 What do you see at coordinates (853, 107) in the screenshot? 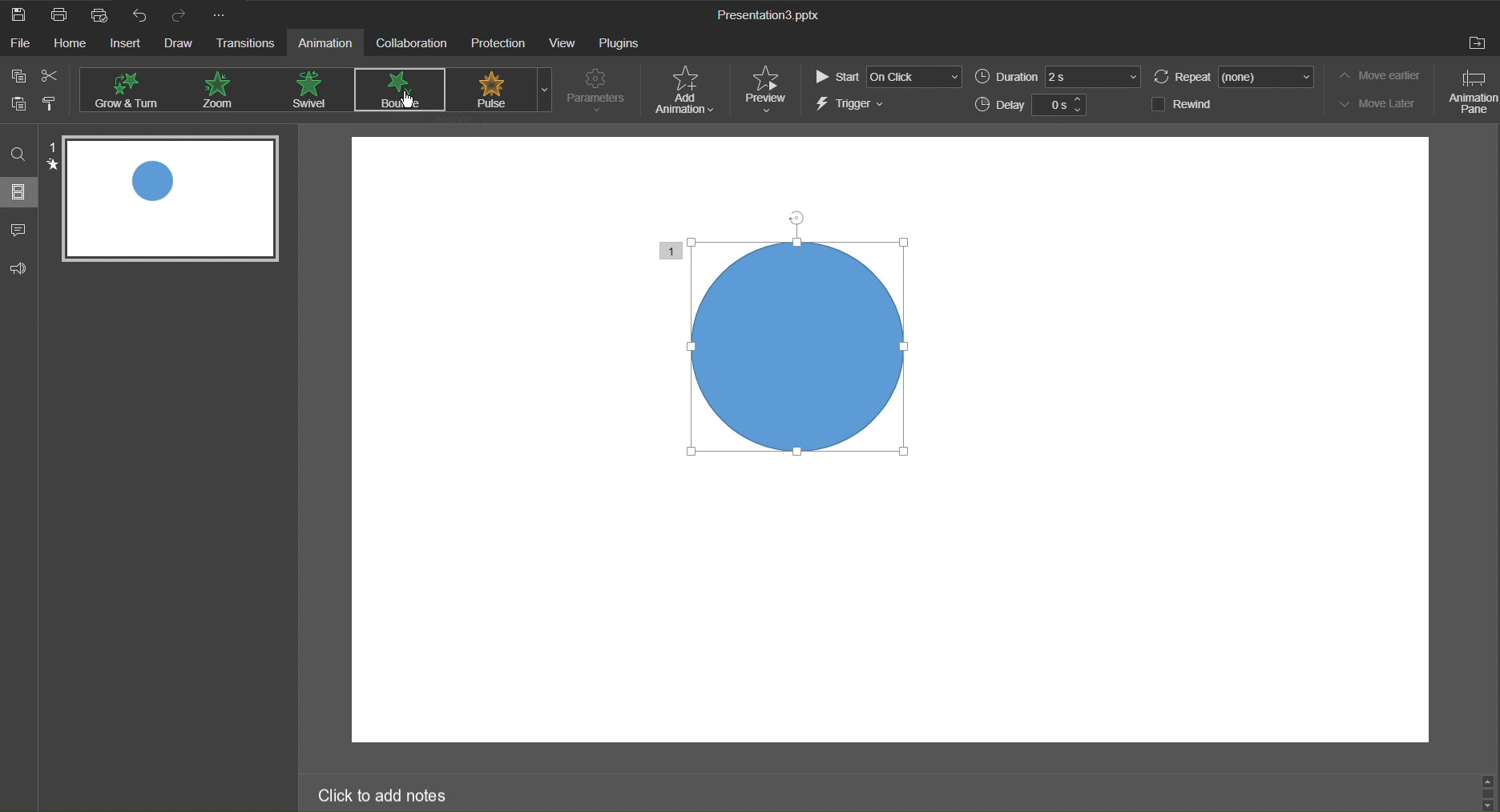
I see `Trigger` at bounding box center [853, 107].